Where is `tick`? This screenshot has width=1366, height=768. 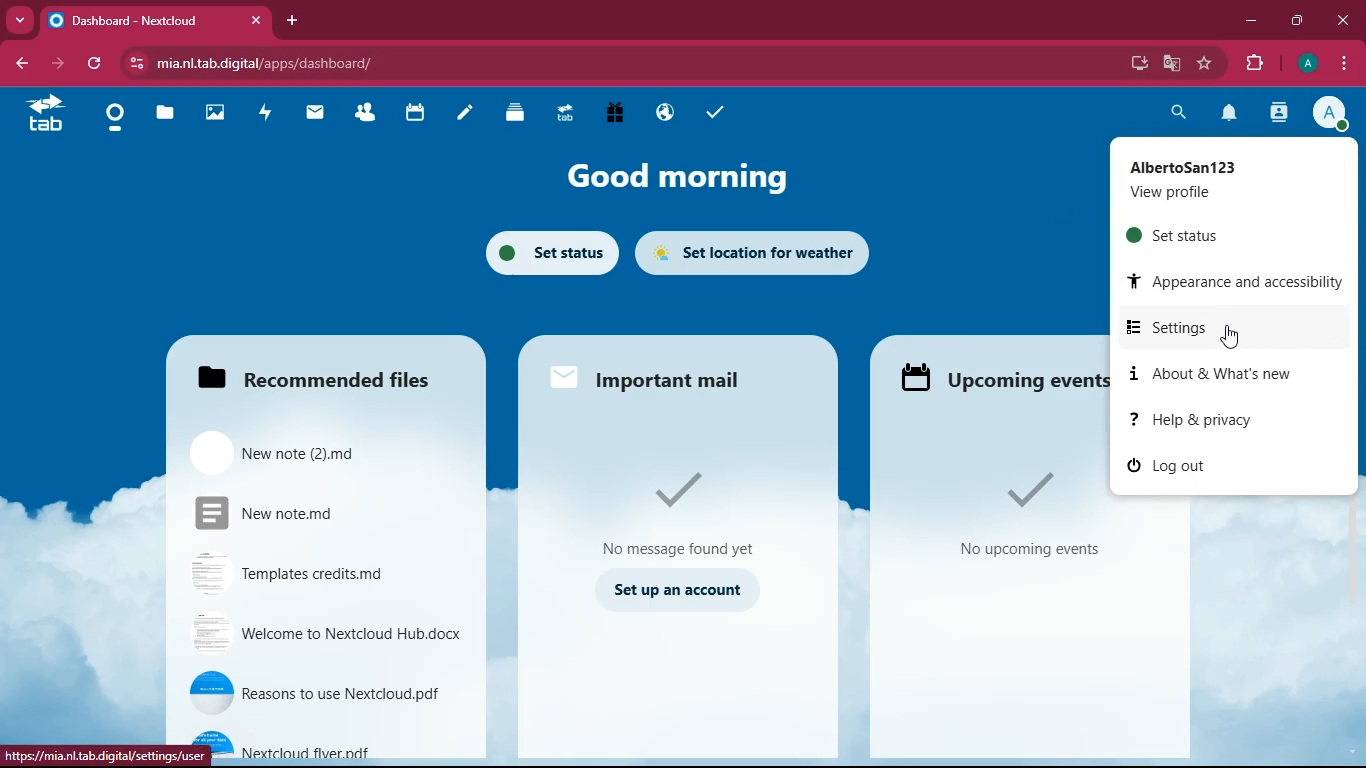
tick is located at coordinates (671, 488).